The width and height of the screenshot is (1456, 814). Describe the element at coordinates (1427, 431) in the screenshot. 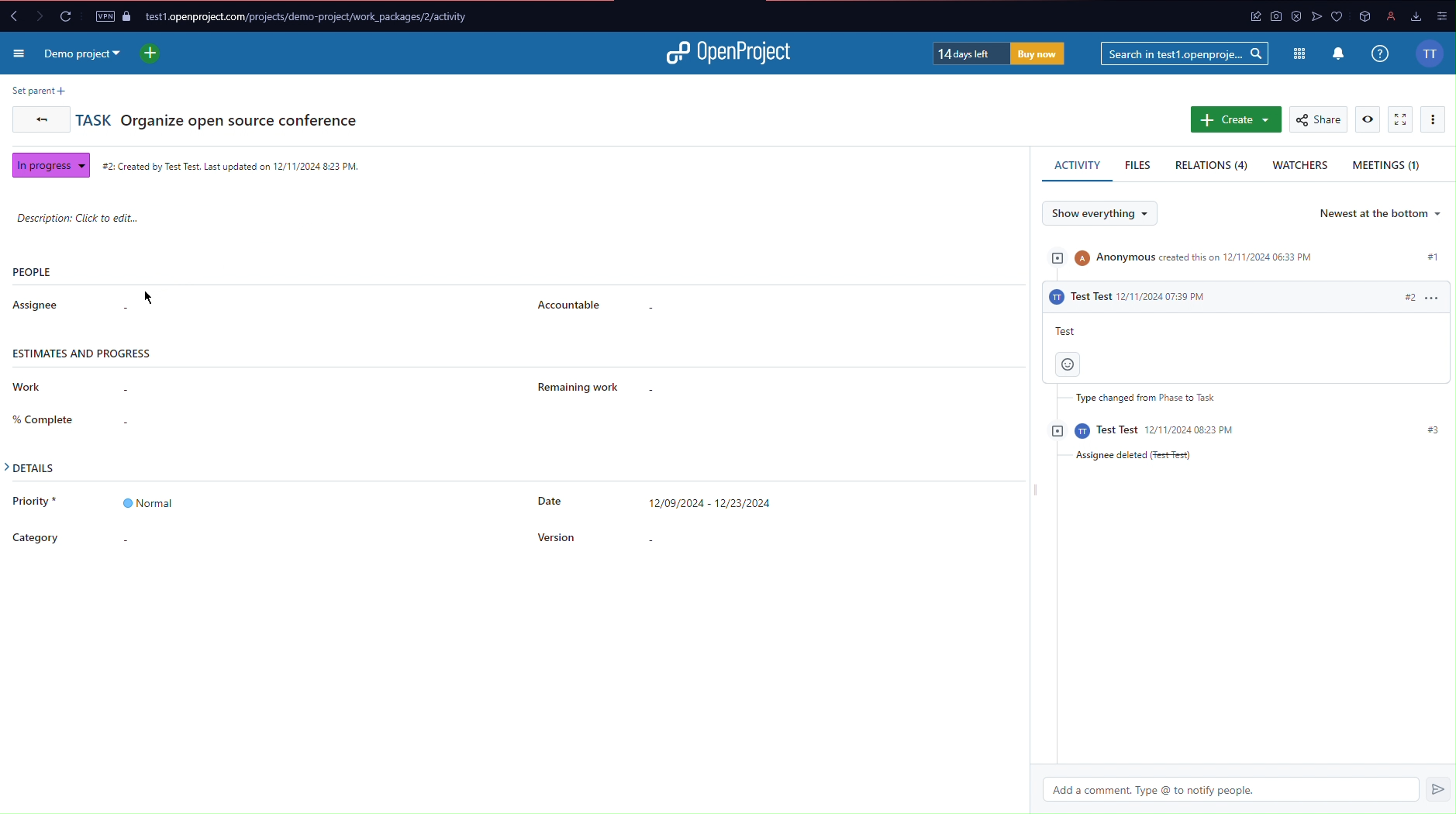

I see `#3` at that location.